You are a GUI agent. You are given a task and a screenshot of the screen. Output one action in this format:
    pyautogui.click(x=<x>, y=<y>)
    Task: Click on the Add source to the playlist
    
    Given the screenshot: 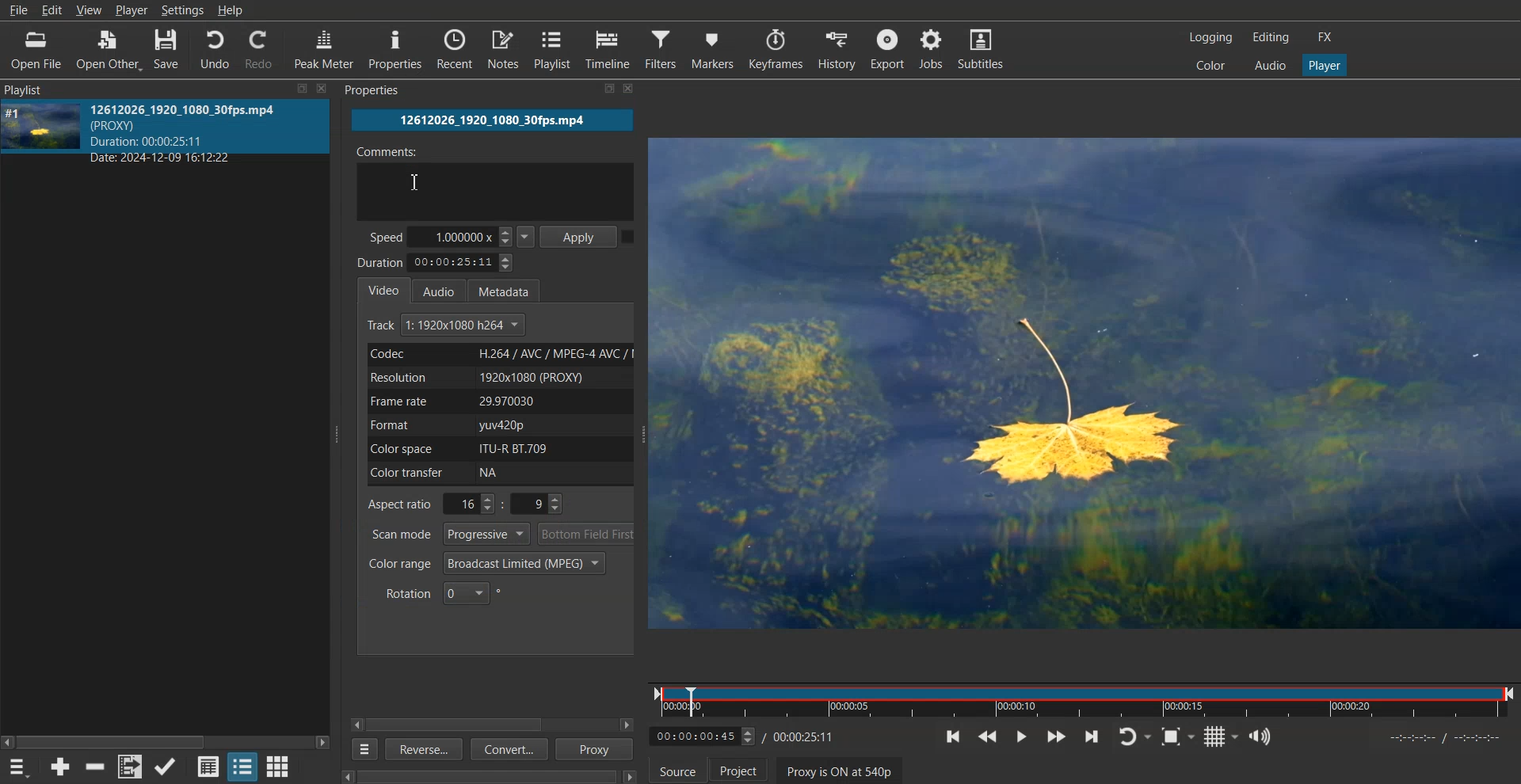 What is the action you would take?
    pyautogui.click(x=60, y=766)
    